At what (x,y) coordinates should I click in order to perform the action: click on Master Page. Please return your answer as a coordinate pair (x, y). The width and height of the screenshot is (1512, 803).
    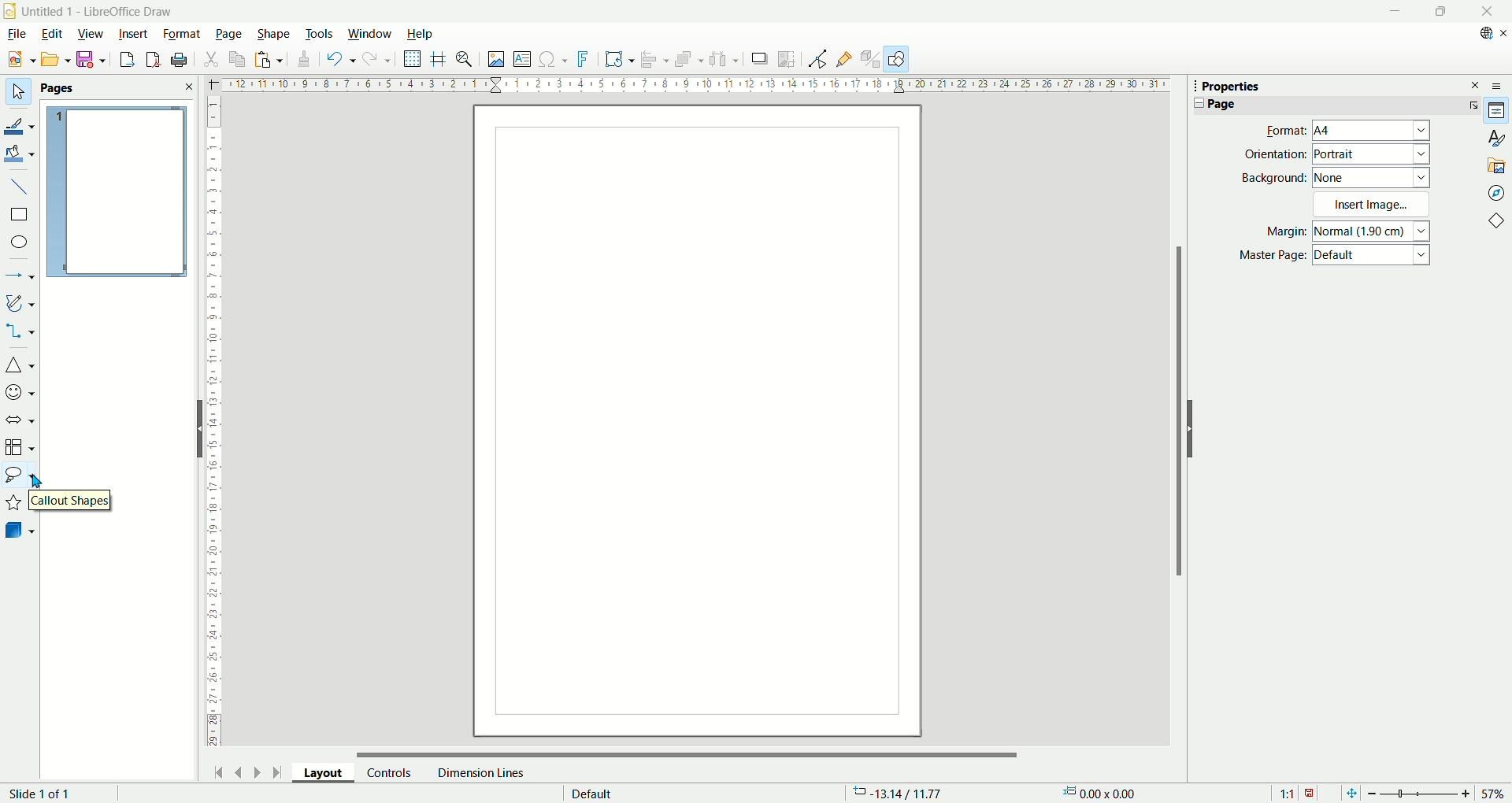
    Looking at the image, I should click on (1273, 256).